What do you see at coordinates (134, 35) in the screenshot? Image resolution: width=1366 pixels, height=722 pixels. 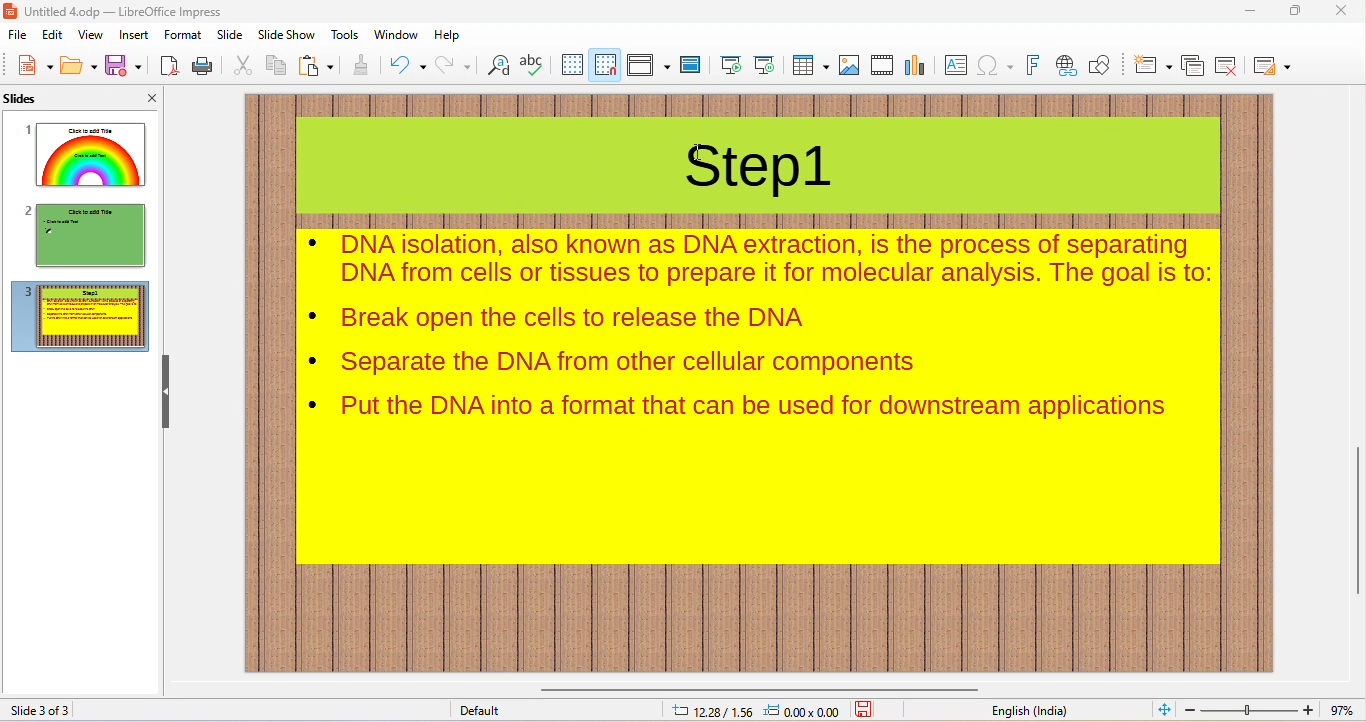 I see `insert` at bounding box center [134, 35].